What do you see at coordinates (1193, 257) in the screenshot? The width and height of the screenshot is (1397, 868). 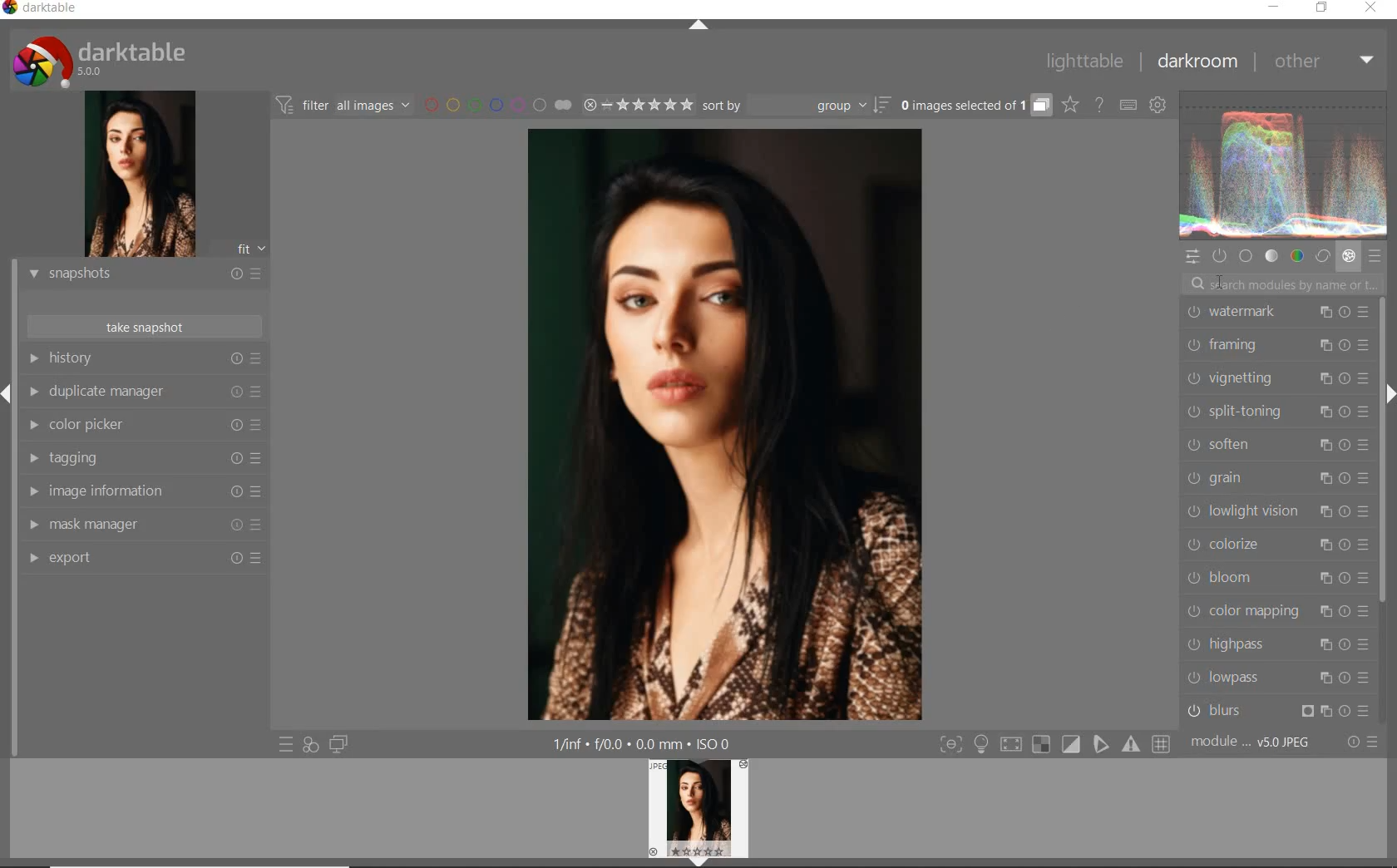 I see `quick access panel` at bounding box center [1193, 257].